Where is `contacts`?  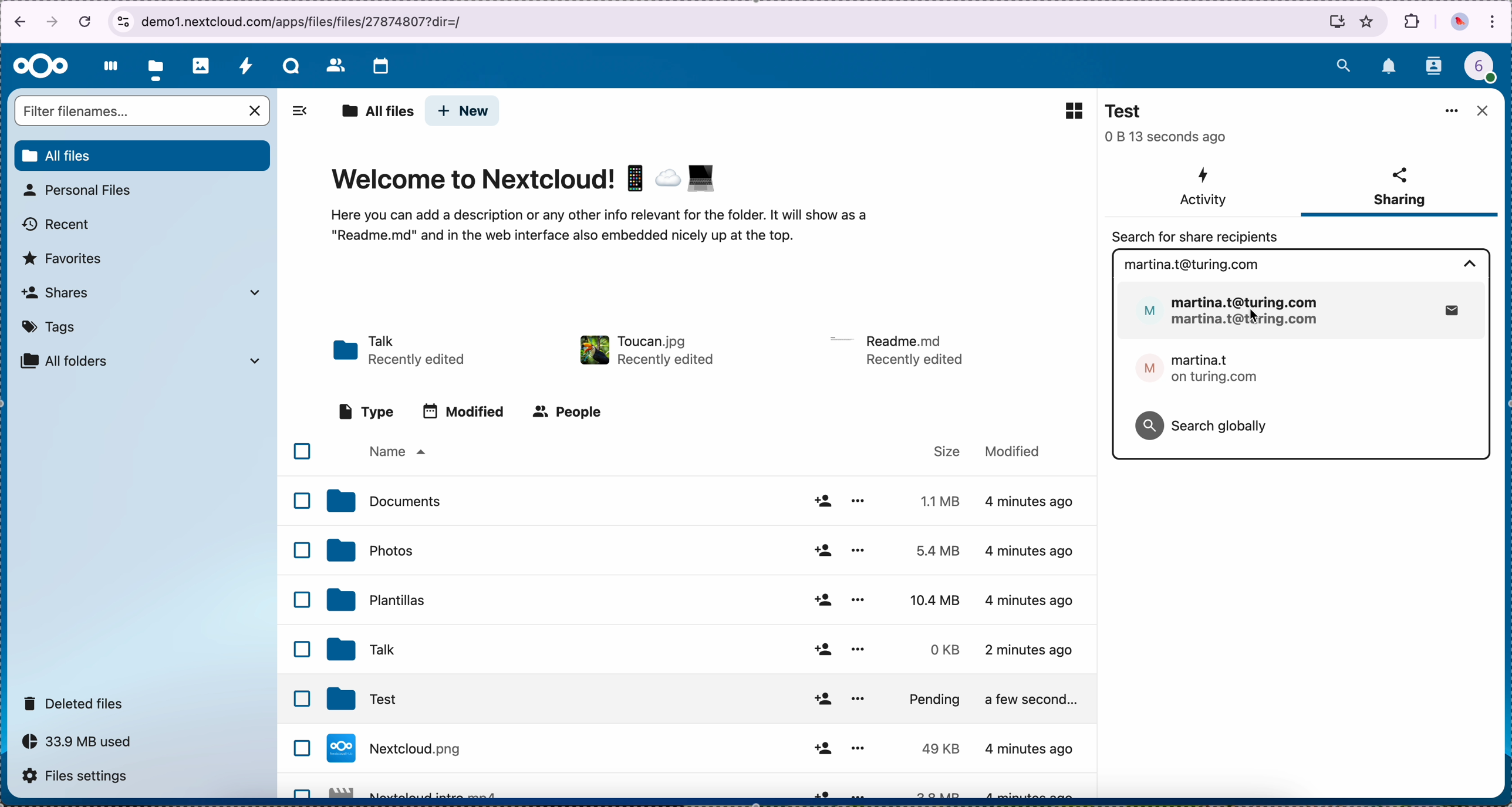 contacts is located at coordinates (1435, 67).